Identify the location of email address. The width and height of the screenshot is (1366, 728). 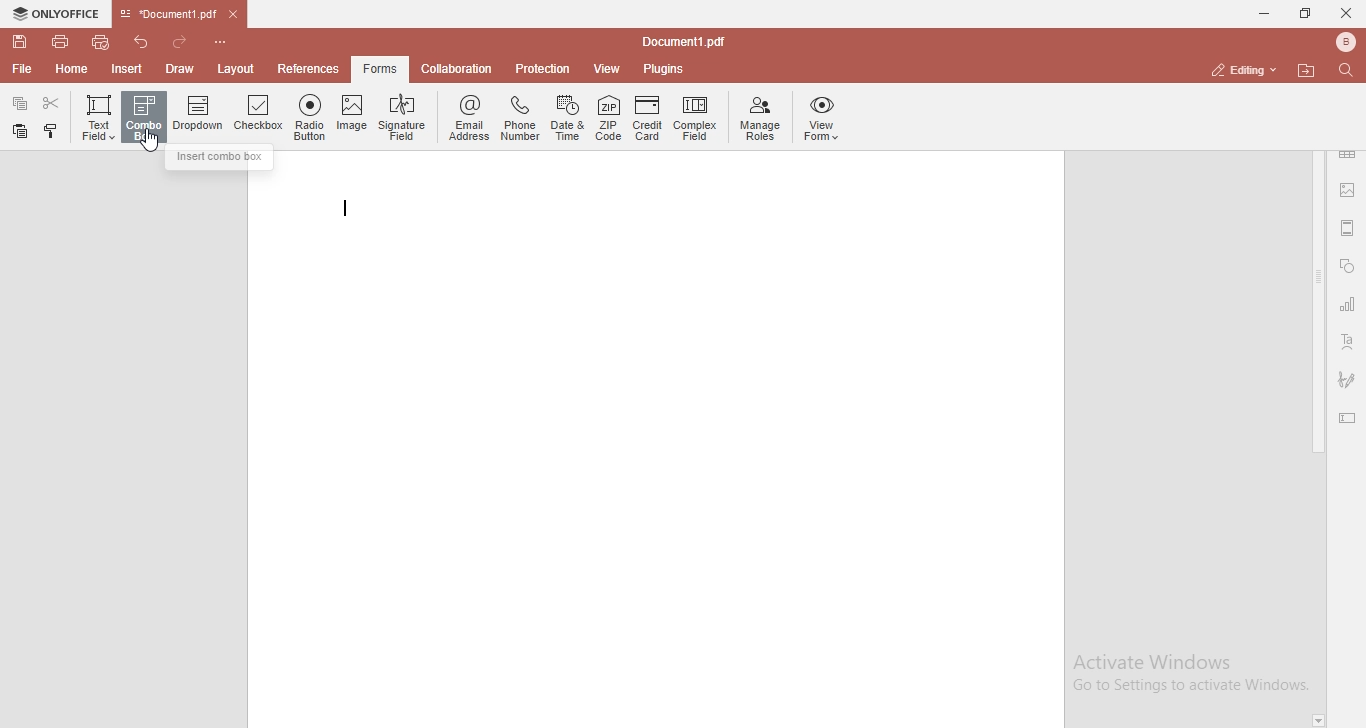
(467, 119).